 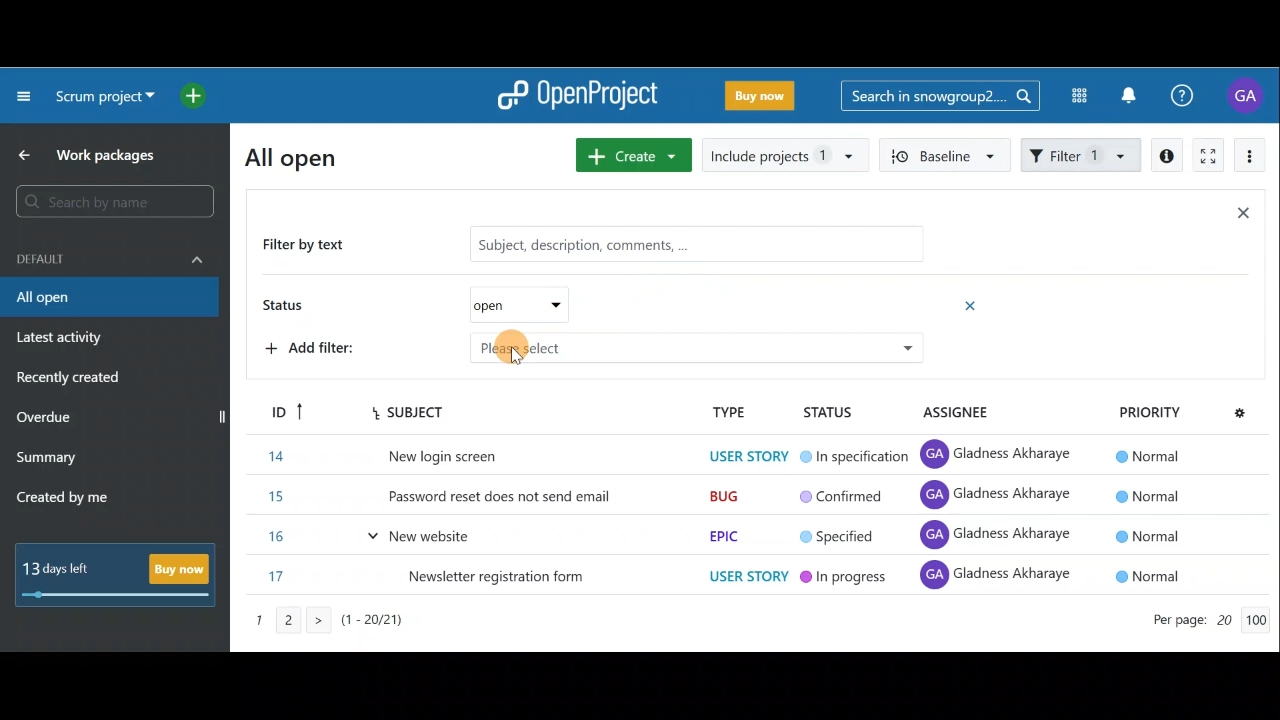 I want to click on Notification center, so click(x=1131, y=93).